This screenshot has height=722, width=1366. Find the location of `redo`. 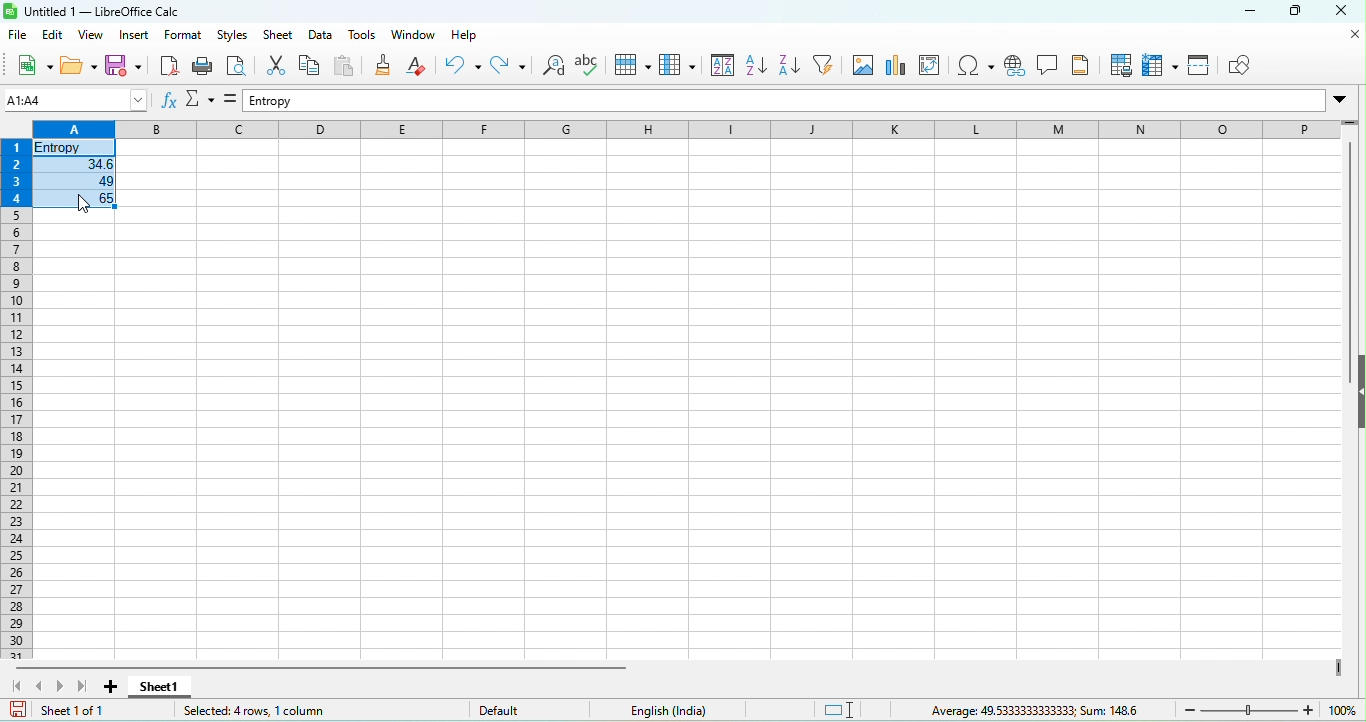

redo is located at coordinates (508, 69).